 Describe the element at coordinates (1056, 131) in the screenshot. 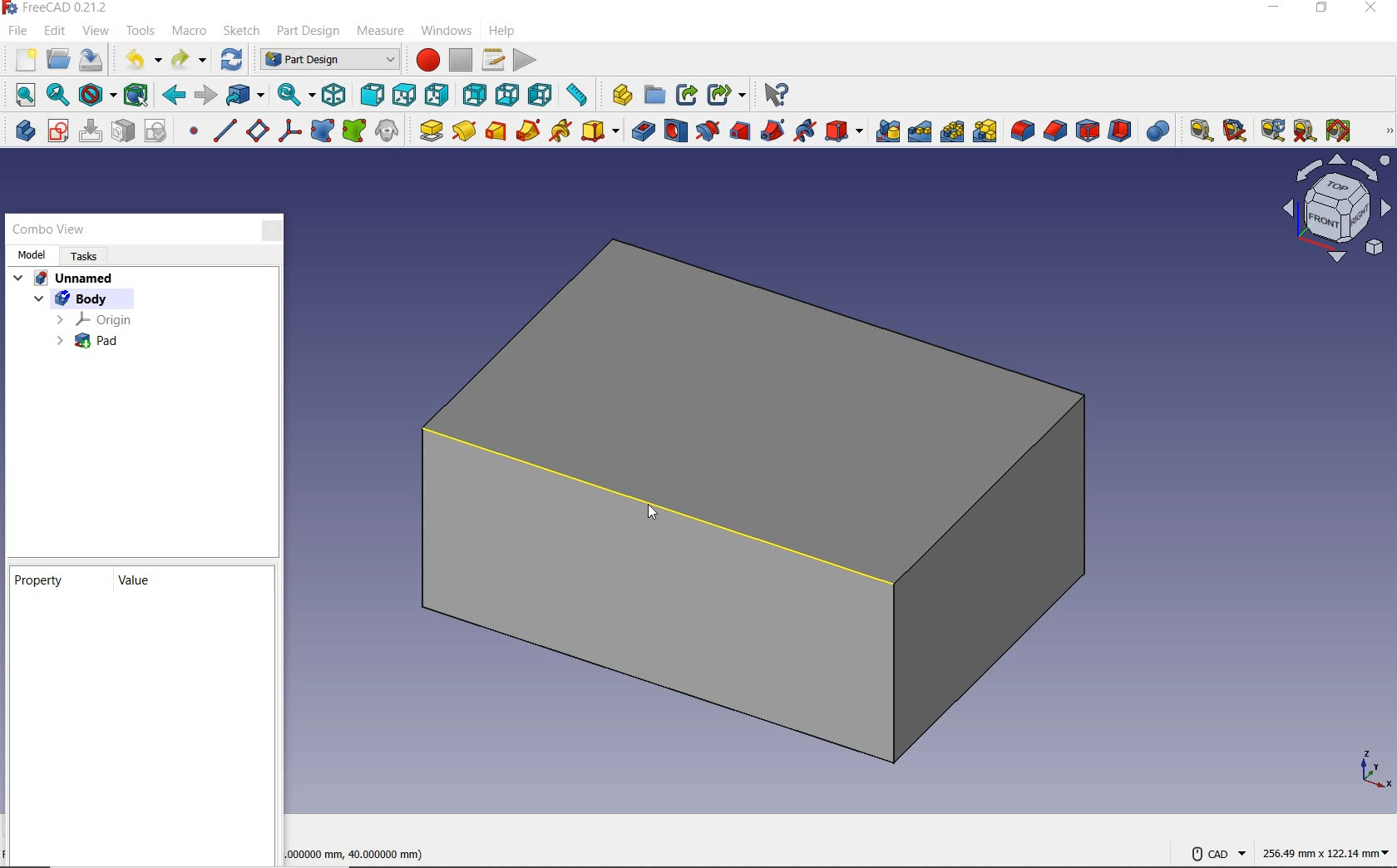

I see `chamfer` at that location.